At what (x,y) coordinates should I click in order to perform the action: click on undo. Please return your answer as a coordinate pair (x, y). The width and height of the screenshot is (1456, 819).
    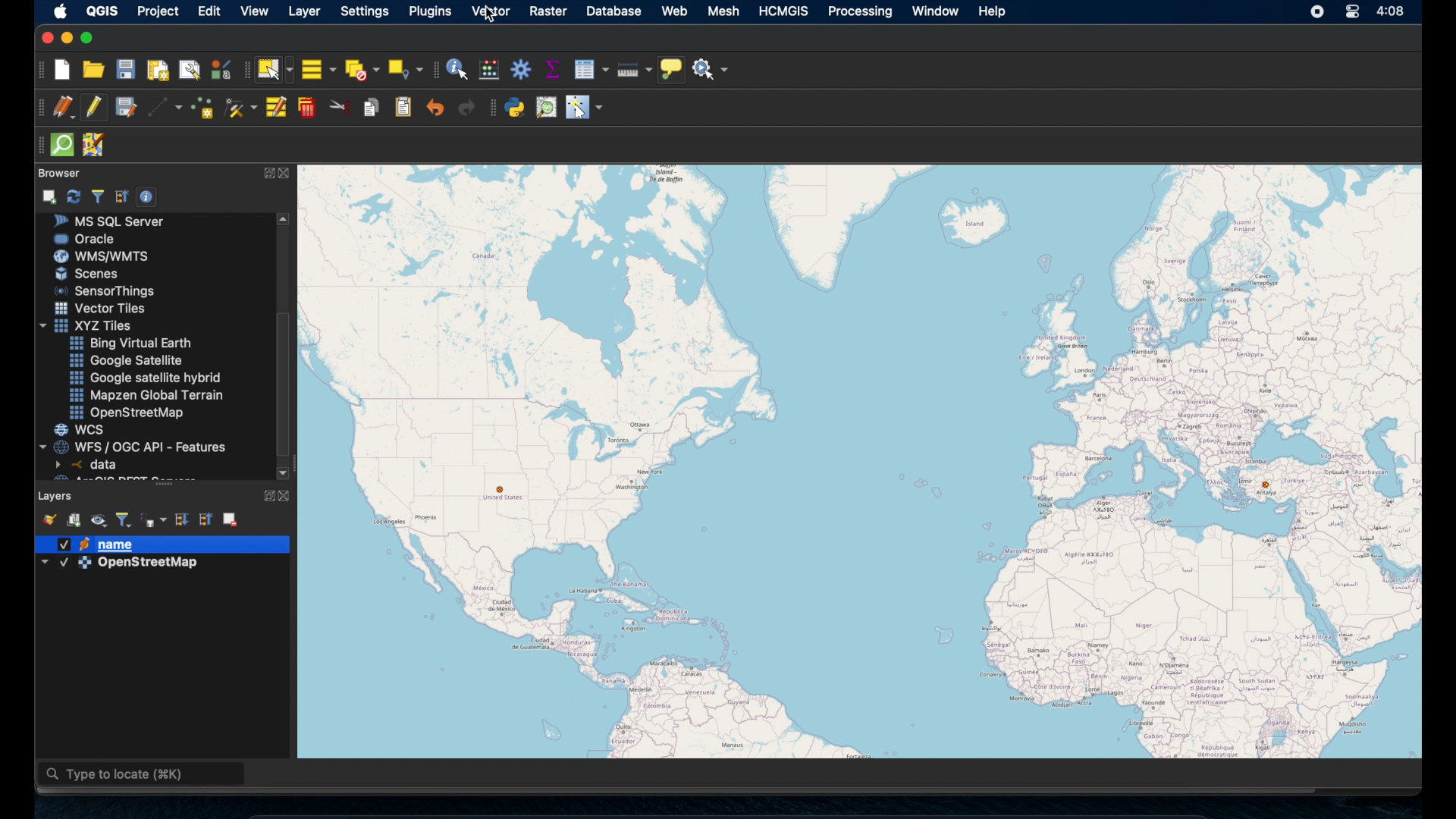
    Looking at the image, I should click on (435, 108).